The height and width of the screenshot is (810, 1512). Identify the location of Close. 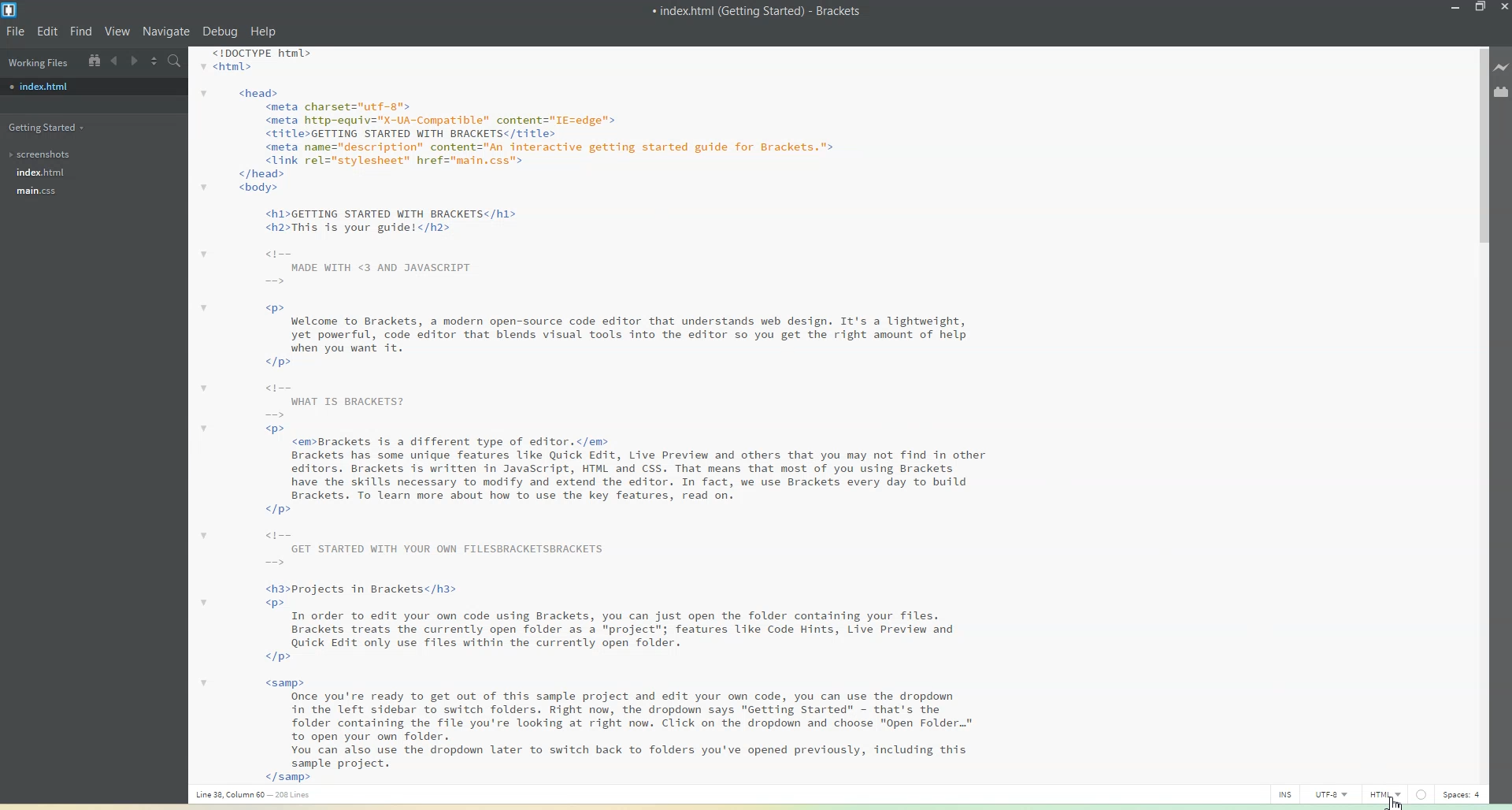
(1503, 8).